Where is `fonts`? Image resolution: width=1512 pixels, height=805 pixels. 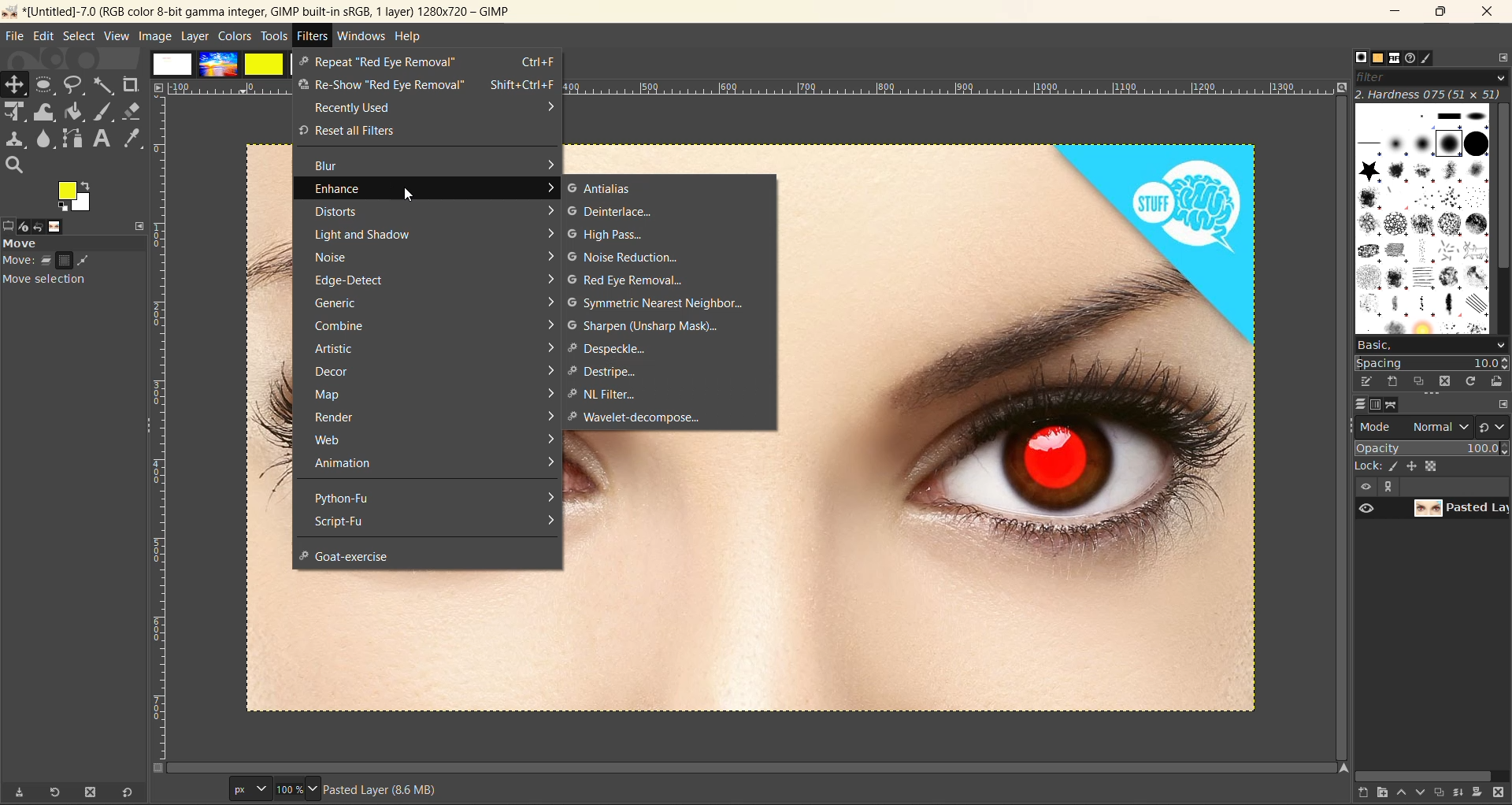 fonts is located at coordinates (1392, 58).